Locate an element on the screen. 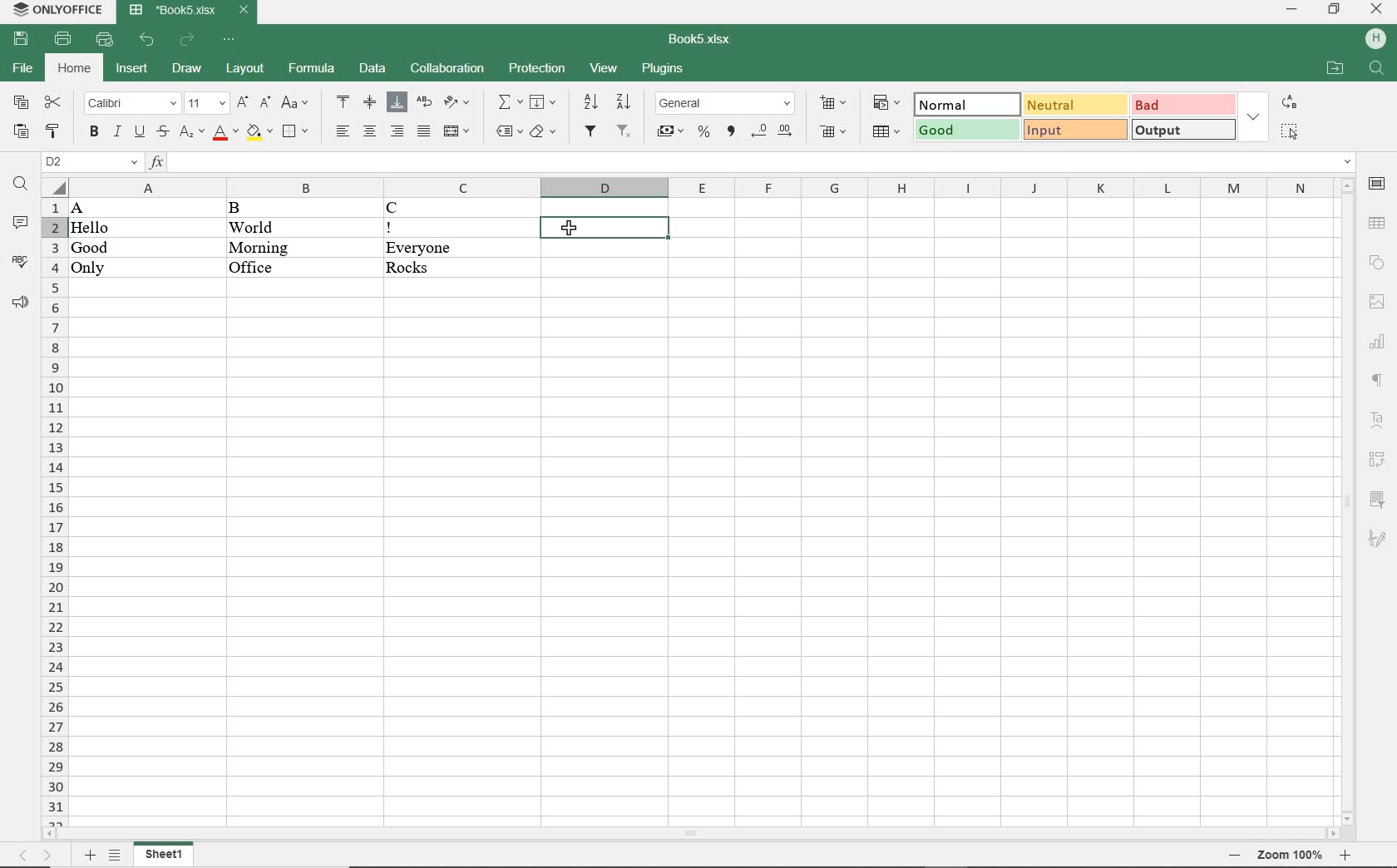  DOCUMENT NAME is located at coordinates (191, 12).